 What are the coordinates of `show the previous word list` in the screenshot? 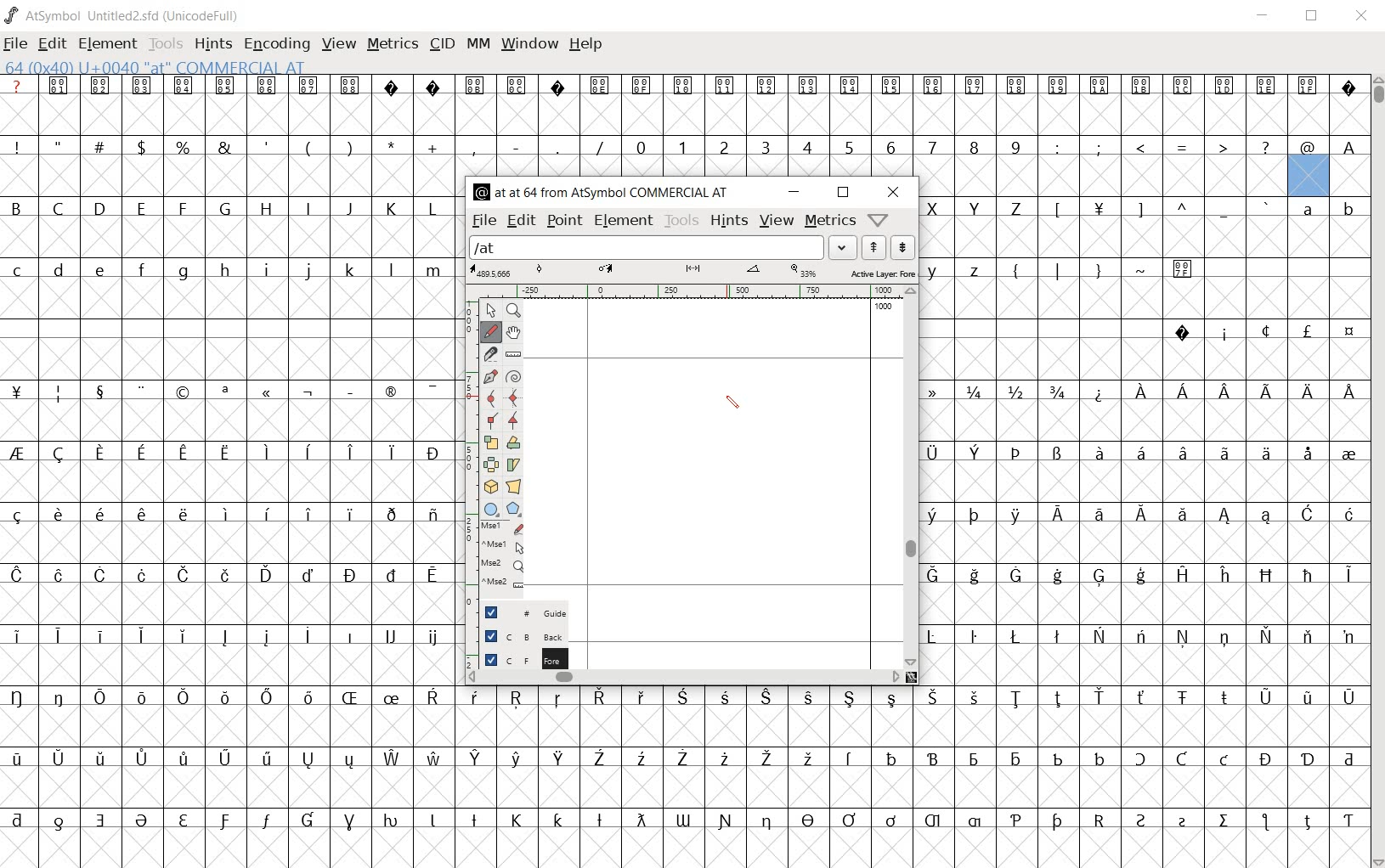 It's located at (876, 248).